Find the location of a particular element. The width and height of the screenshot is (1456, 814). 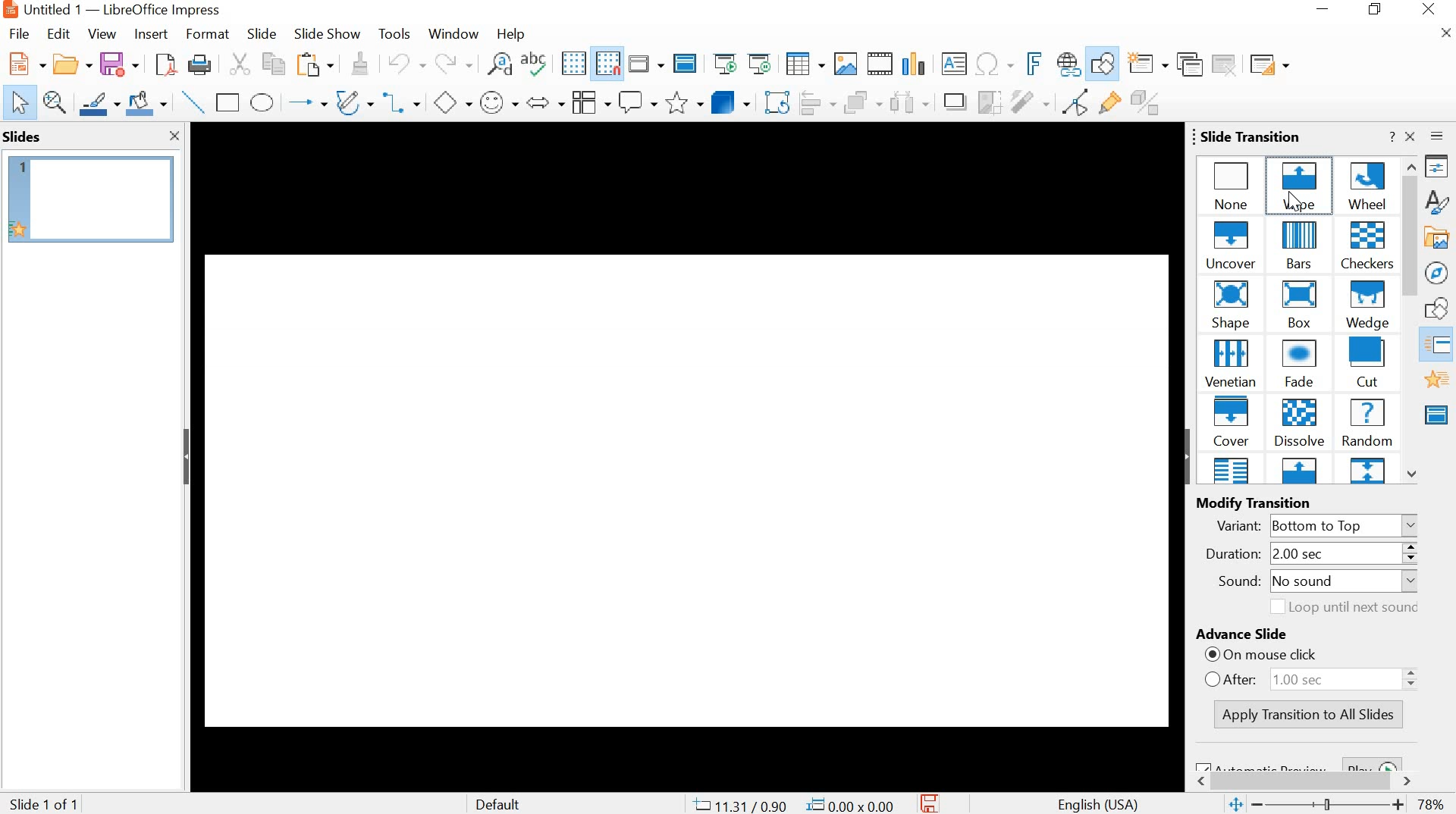

NAVIGATOR is located at coordinates (1438, 274).